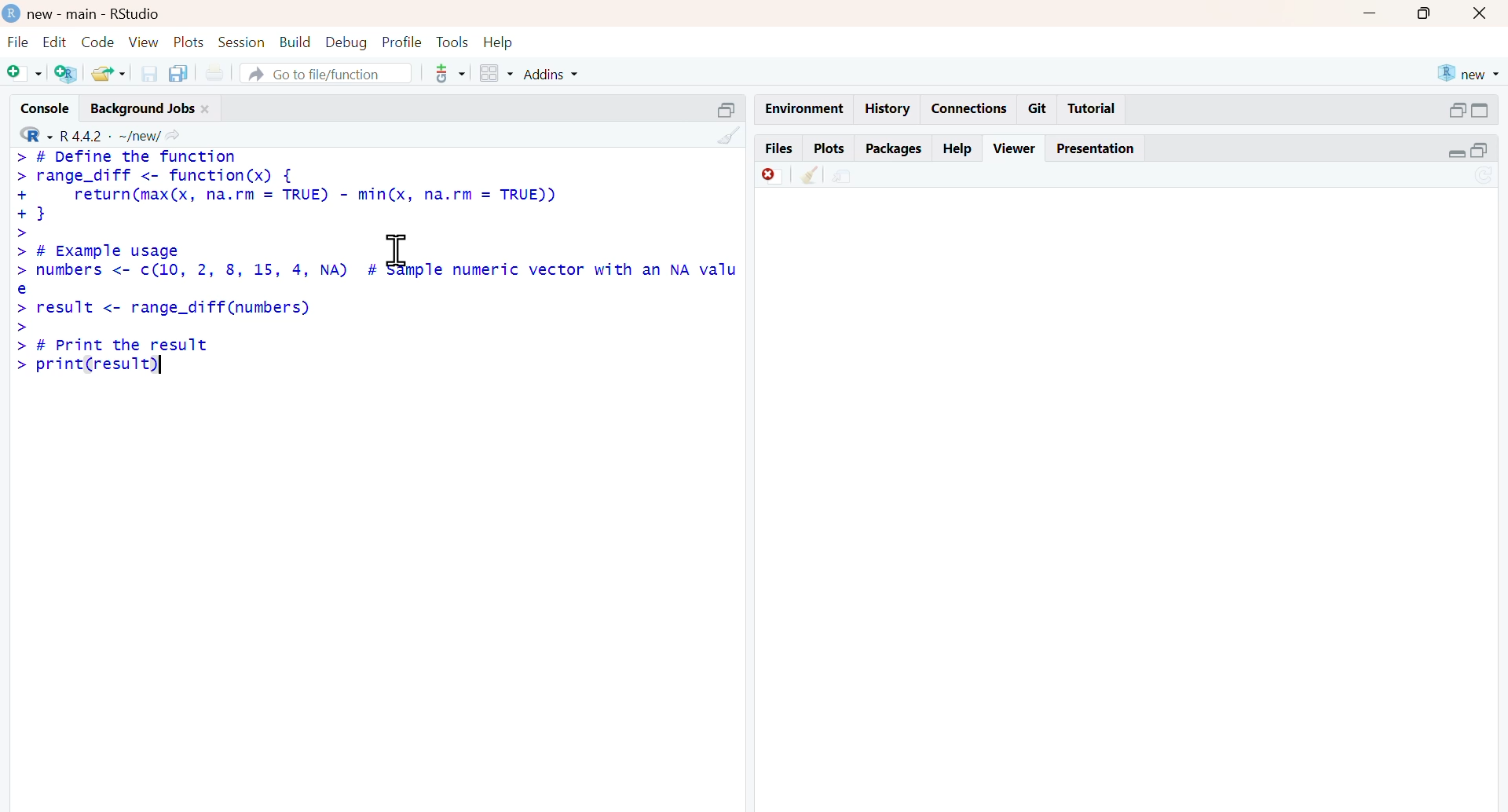 Image resolution: width=1508 pixels, height=812 pixels. I want to click on history, so click(888, 108).